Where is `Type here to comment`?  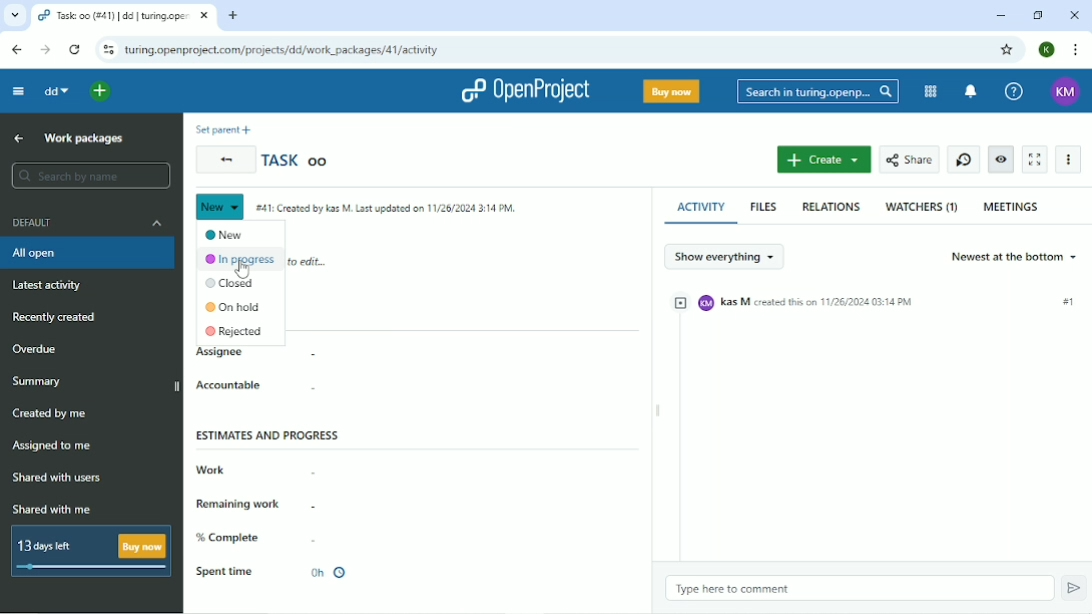 Type here to comment is located at coordinates (732, 589).